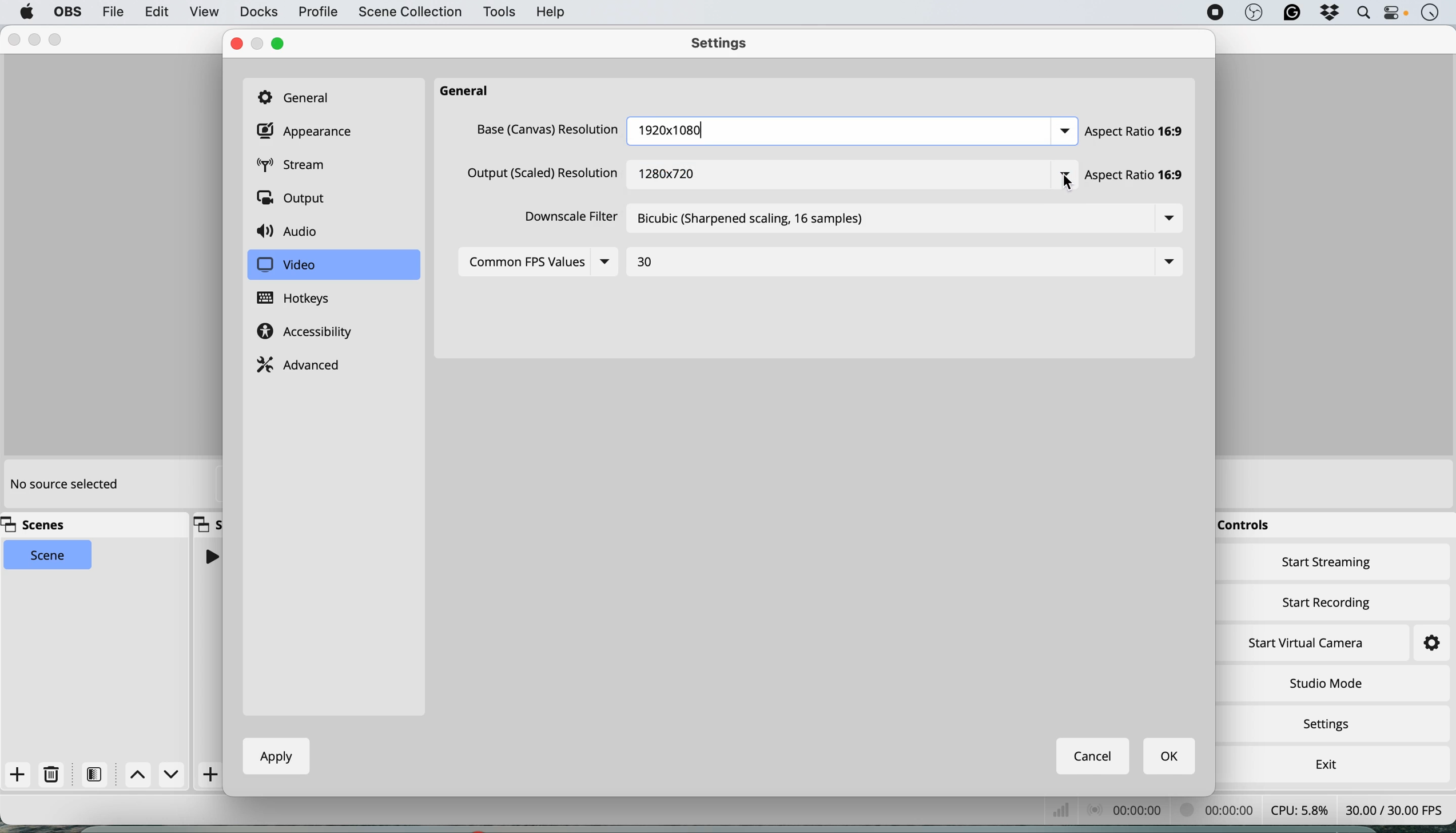 This screenshot has width=1456, height=833. What do you see at coordinates (1248, 526) in the screenshot?
I see `controls` at bounding box center [1248, 526].